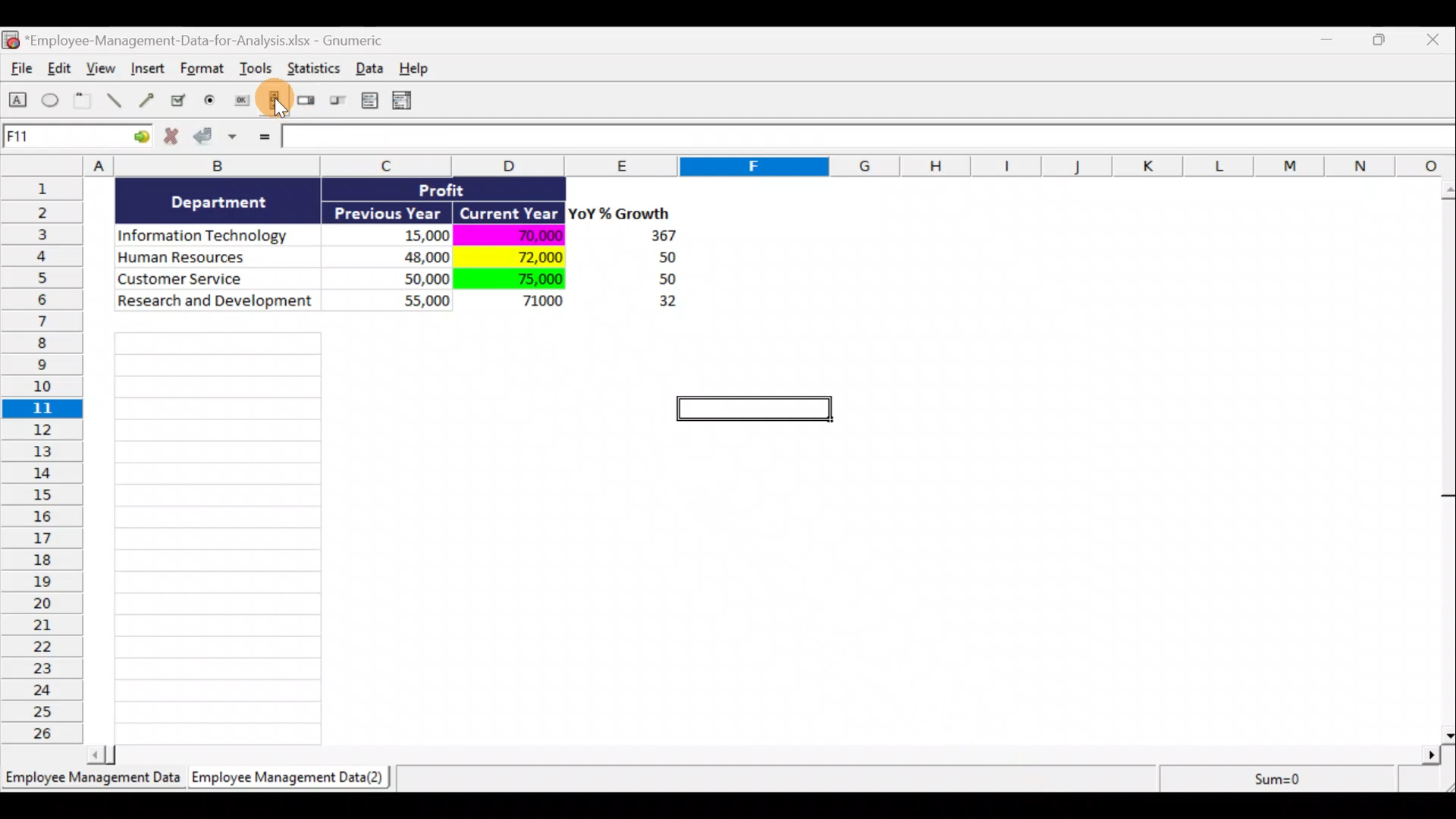 This screenshot has height=819, width=1456. I want to click on File, so click(18, 71).